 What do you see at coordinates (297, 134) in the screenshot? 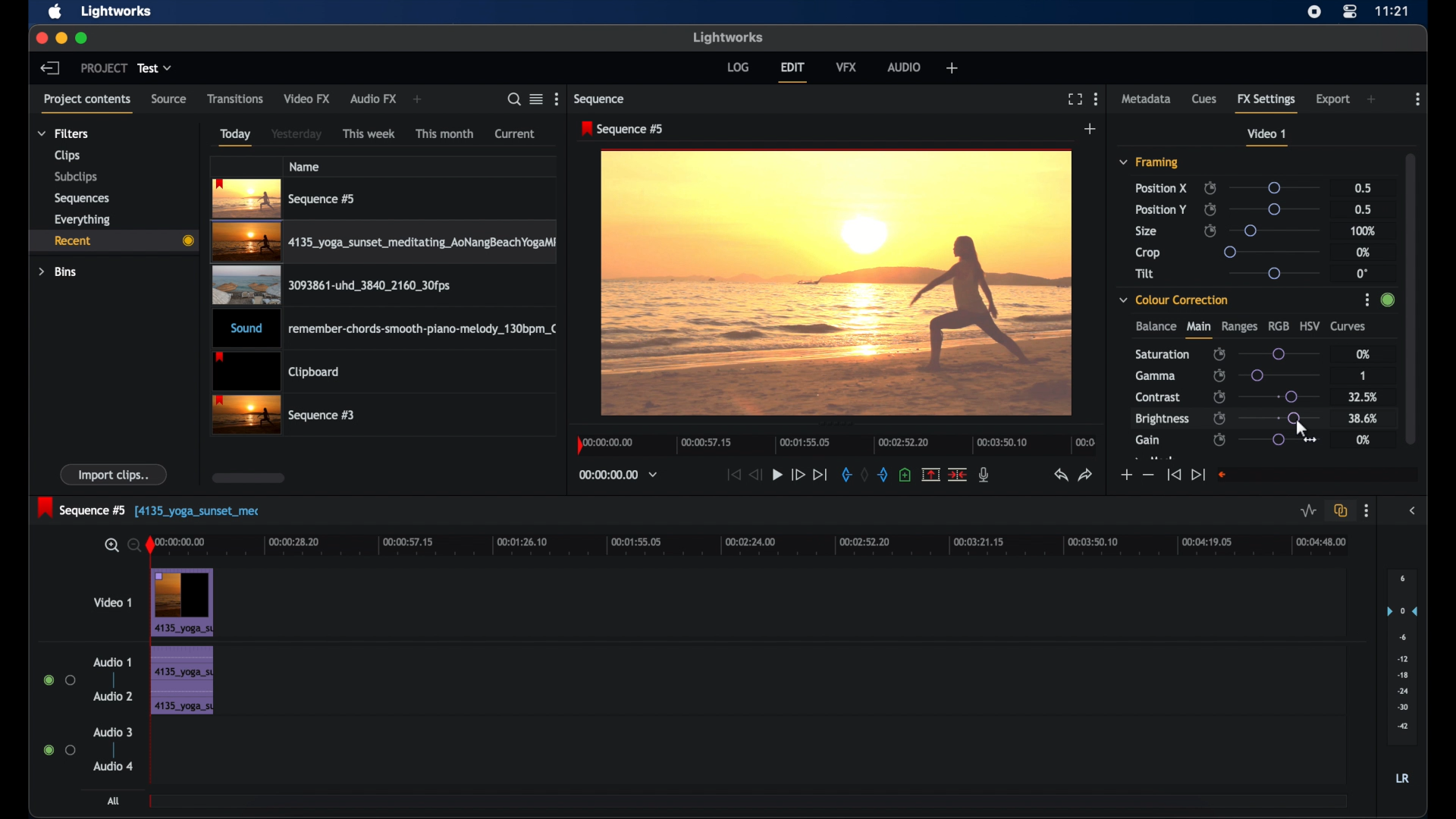
I see `yesterday` at bounding box center [297, 134].